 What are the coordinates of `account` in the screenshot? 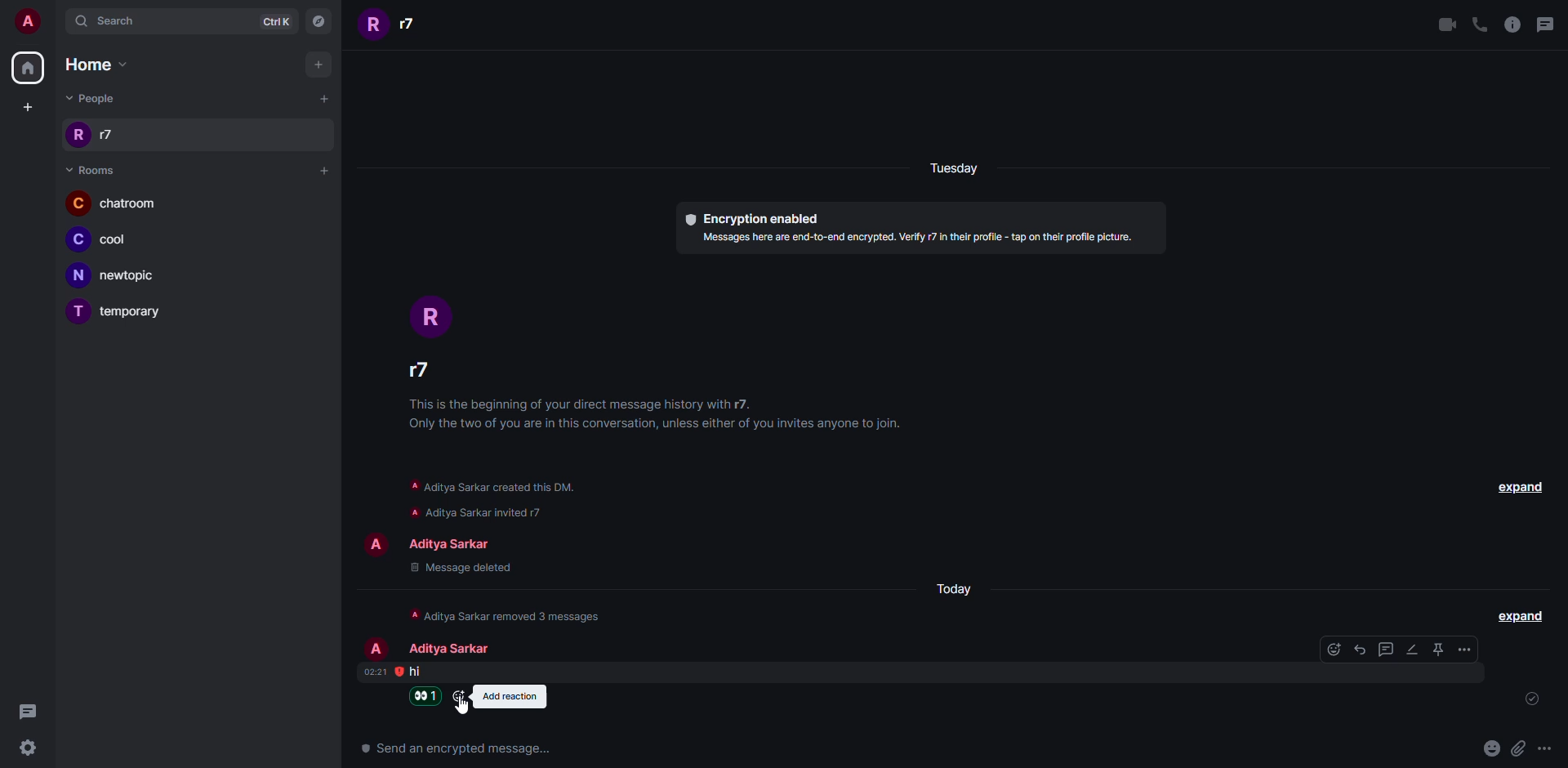 It's located at (28, 20).